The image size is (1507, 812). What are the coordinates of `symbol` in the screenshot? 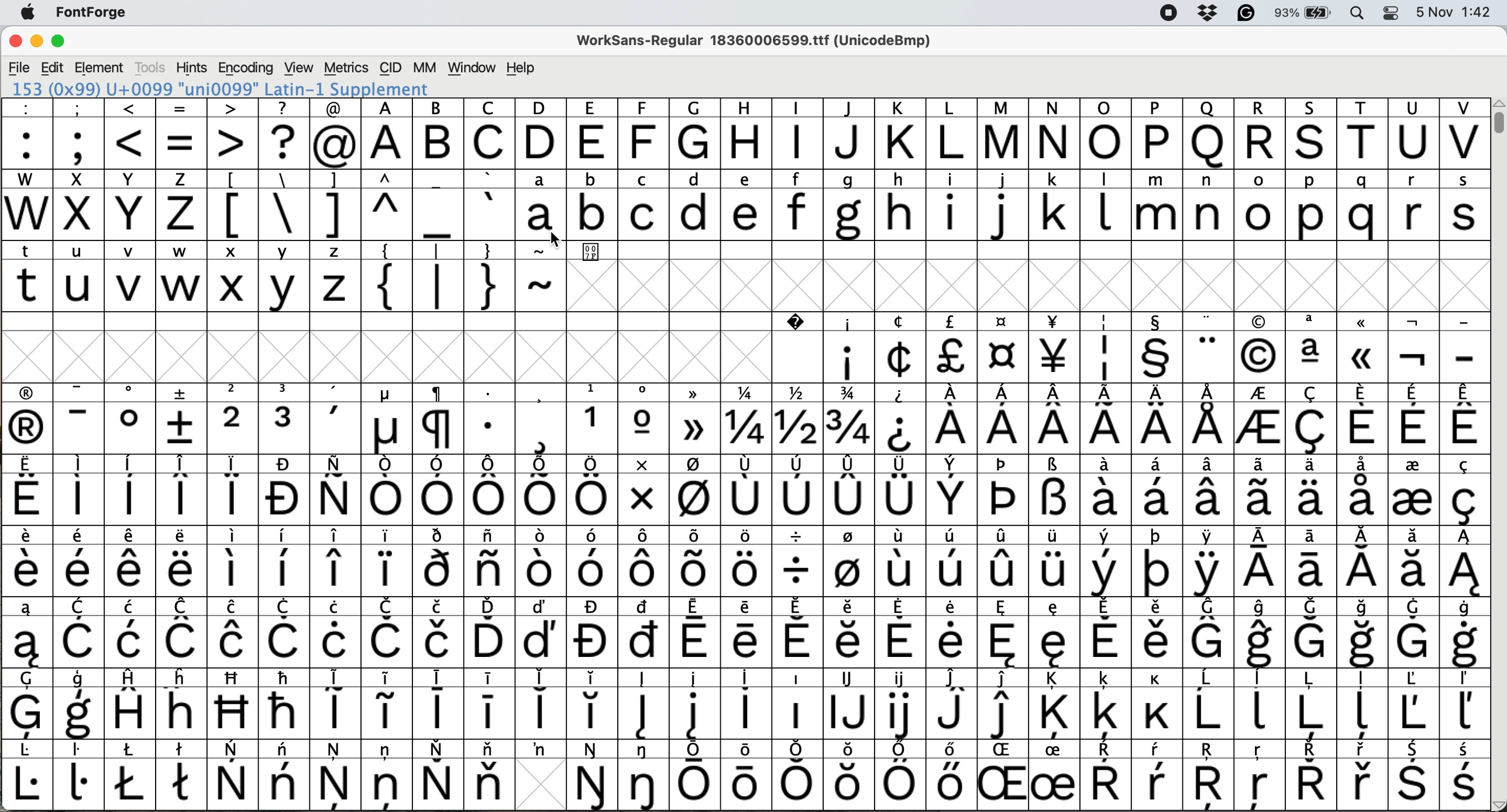 It's located at (489, 774).